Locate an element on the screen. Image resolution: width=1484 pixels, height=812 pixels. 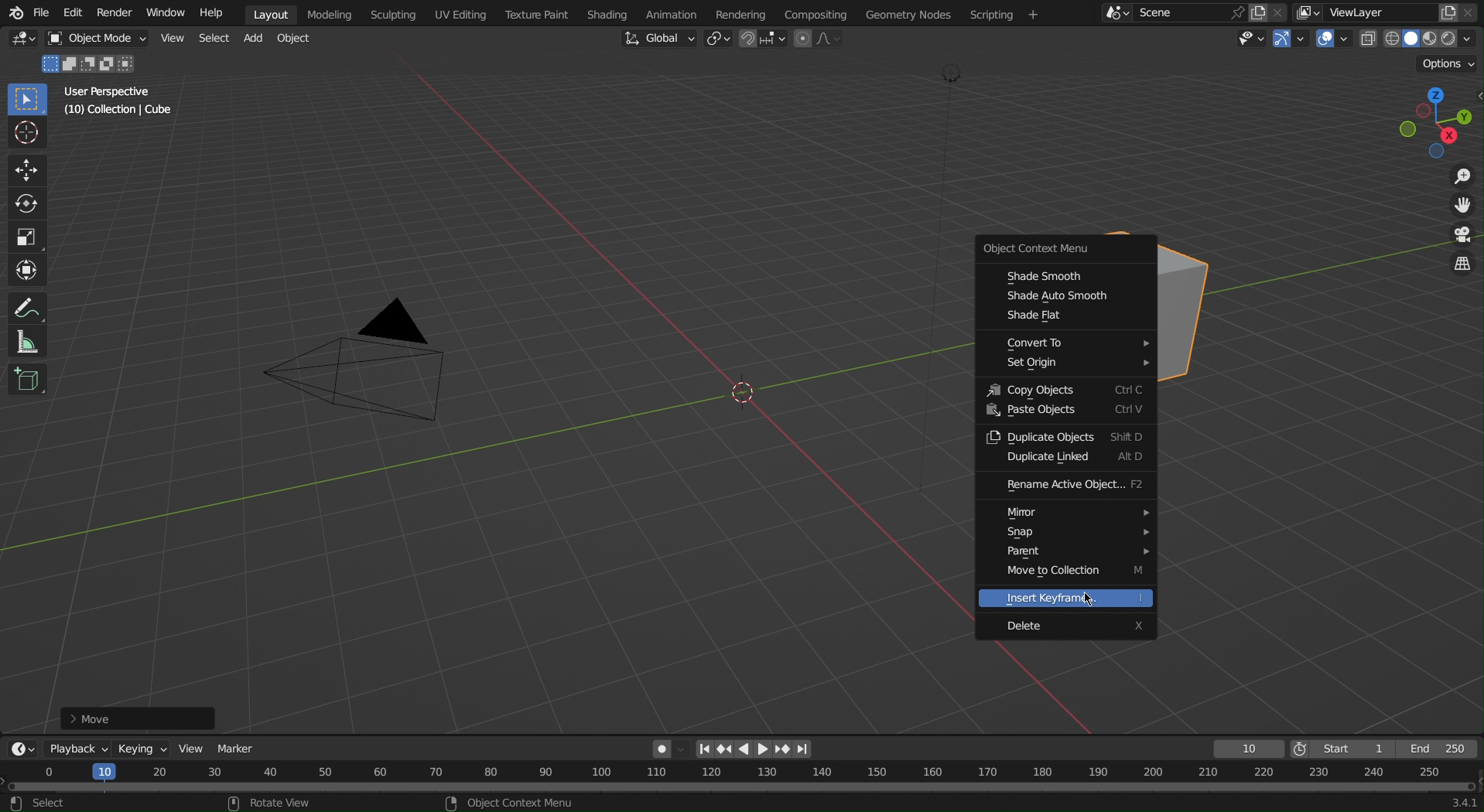
Render is located at coordinates (118, 12).